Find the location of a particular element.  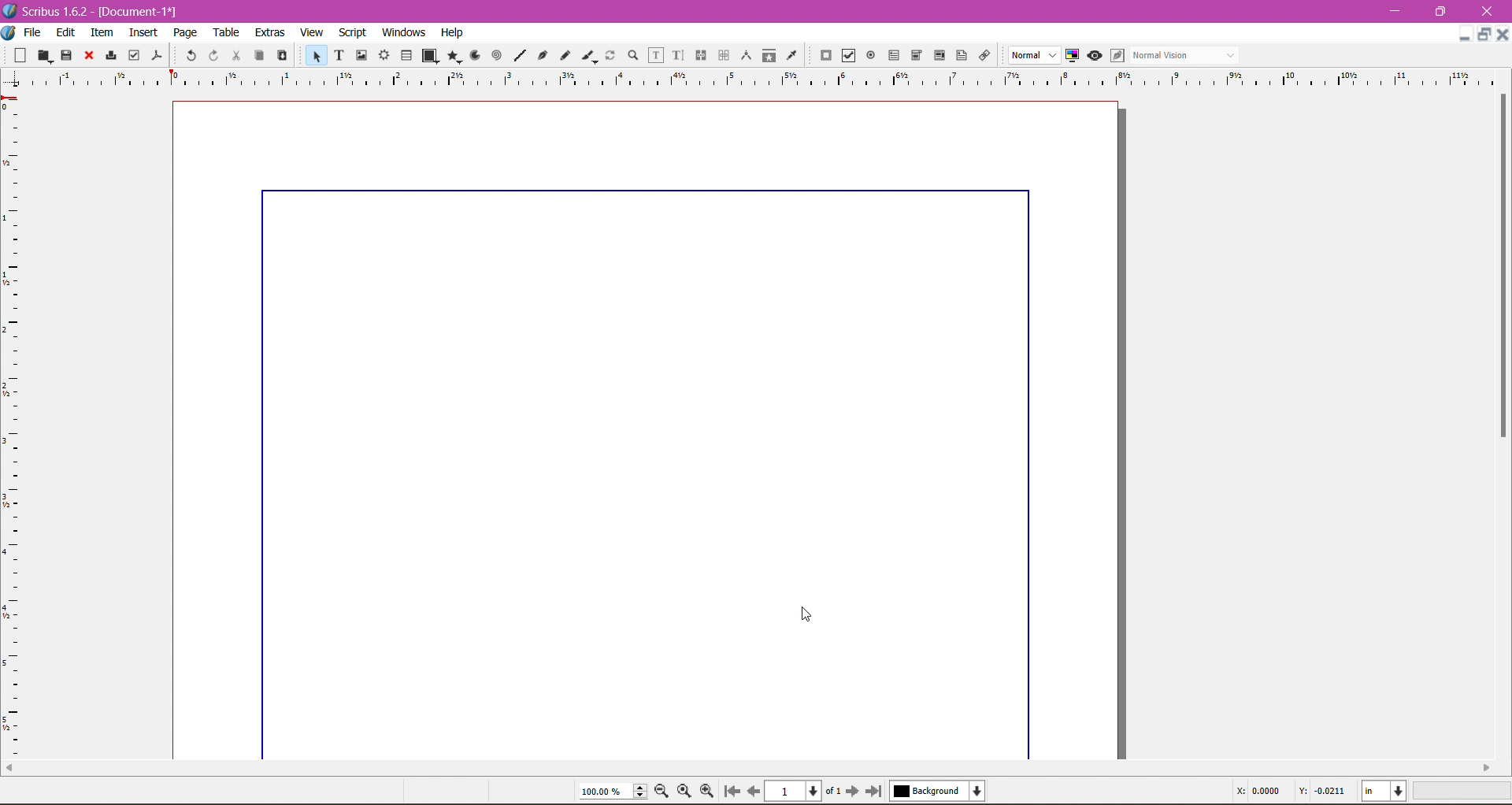

Line is located at coordinates (520, 54).